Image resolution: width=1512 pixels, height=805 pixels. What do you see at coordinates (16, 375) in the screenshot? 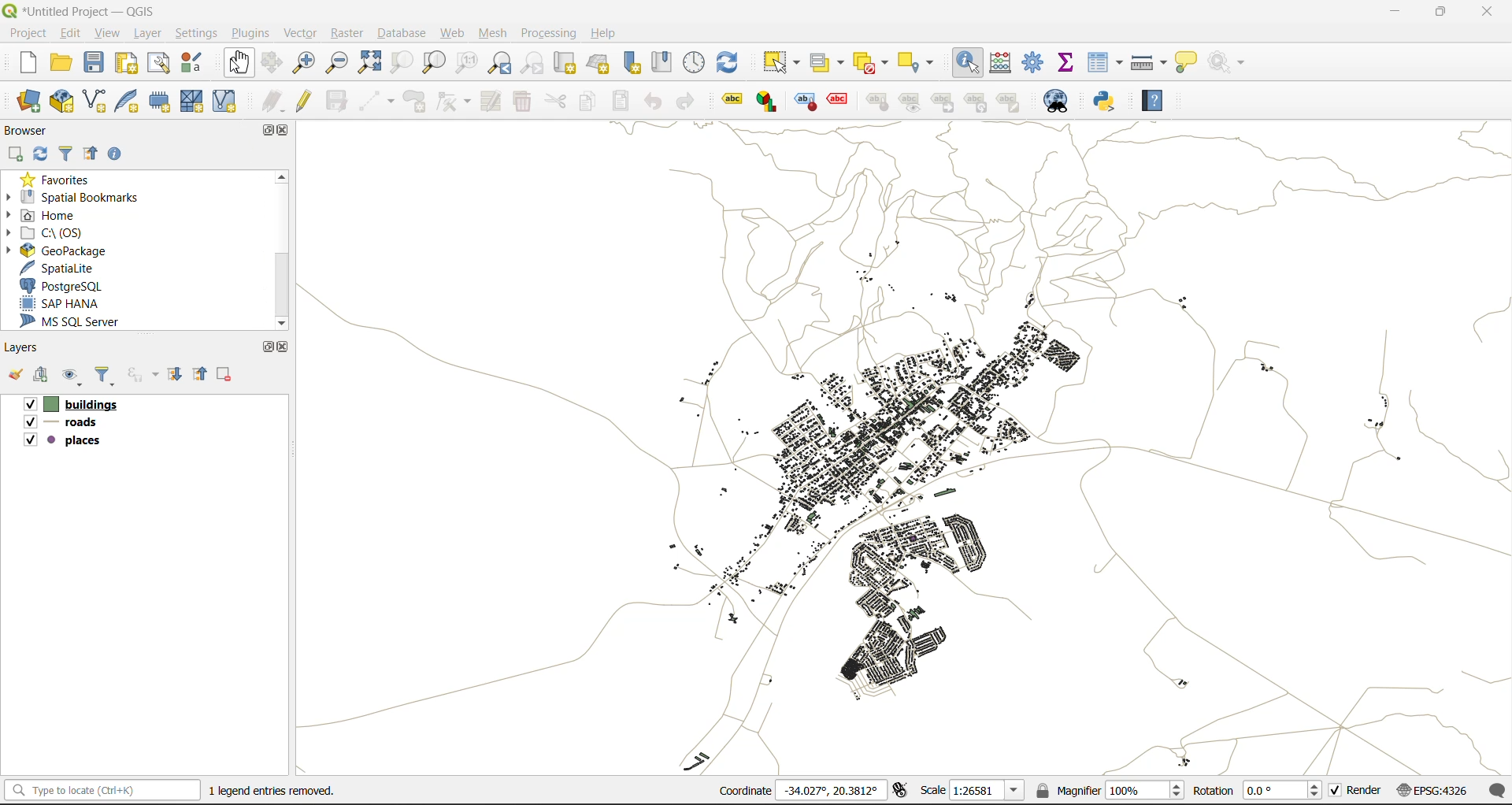
I see `open` at bounding box center [16, 375].